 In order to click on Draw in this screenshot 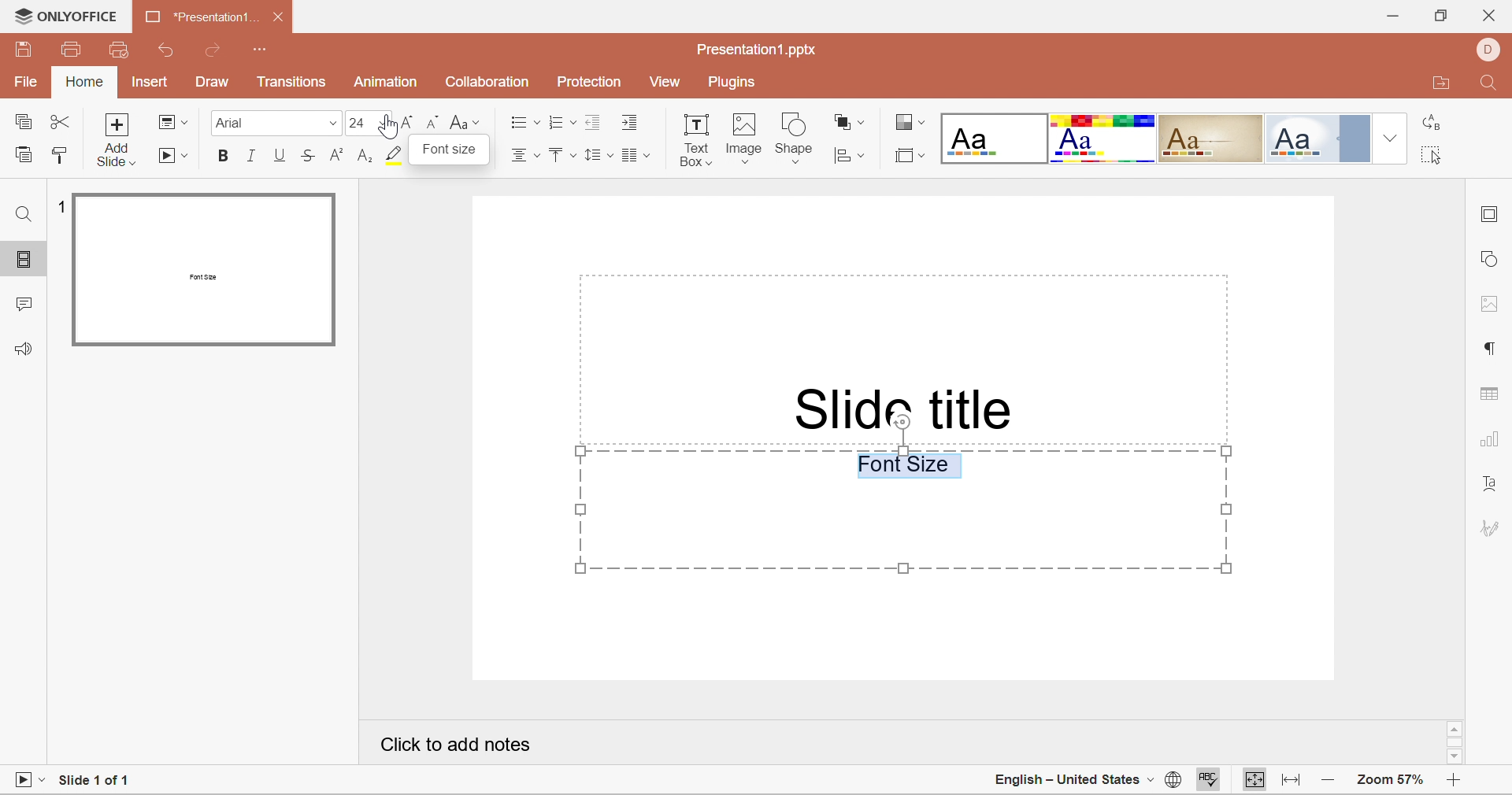, I will do `click(214, 83)`.